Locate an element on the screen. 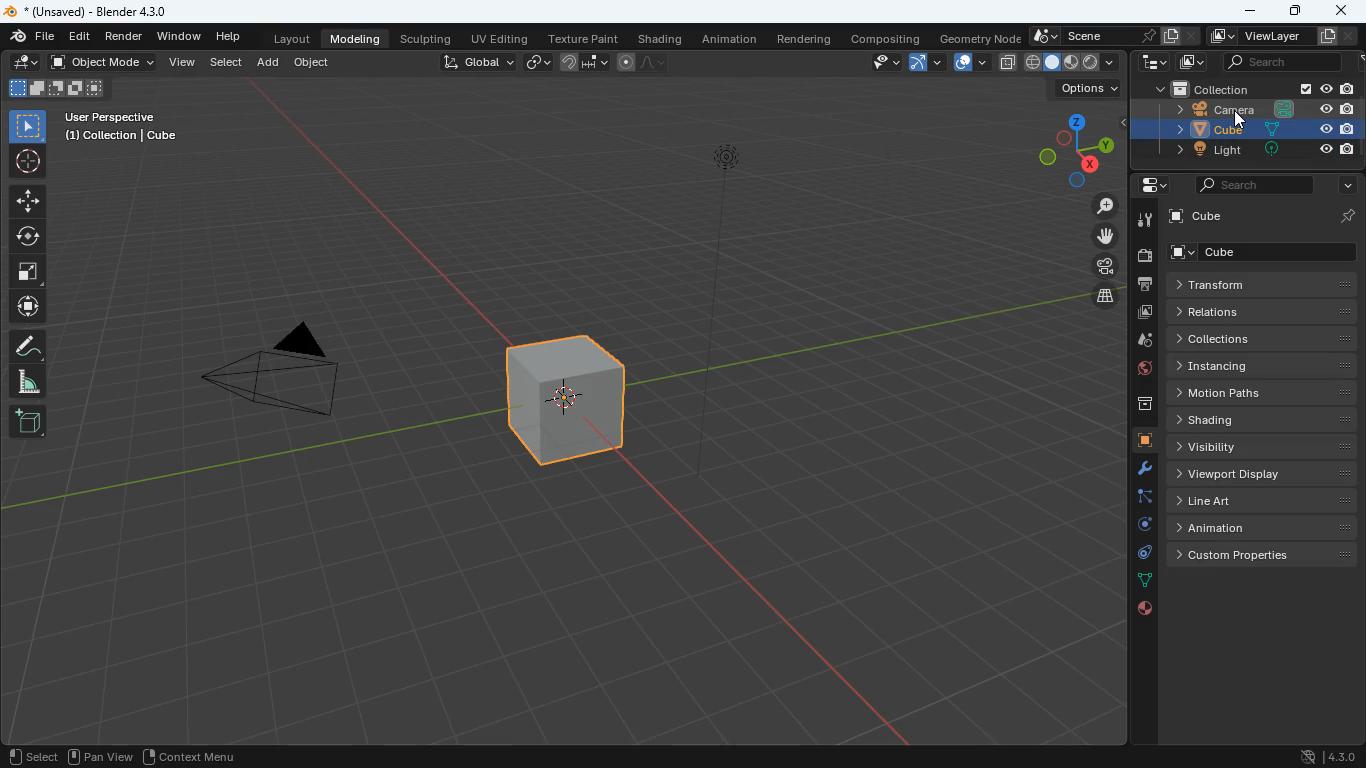 The width and height of the screenshot is (1366, 768). search is located at coordinates (1256, 186).